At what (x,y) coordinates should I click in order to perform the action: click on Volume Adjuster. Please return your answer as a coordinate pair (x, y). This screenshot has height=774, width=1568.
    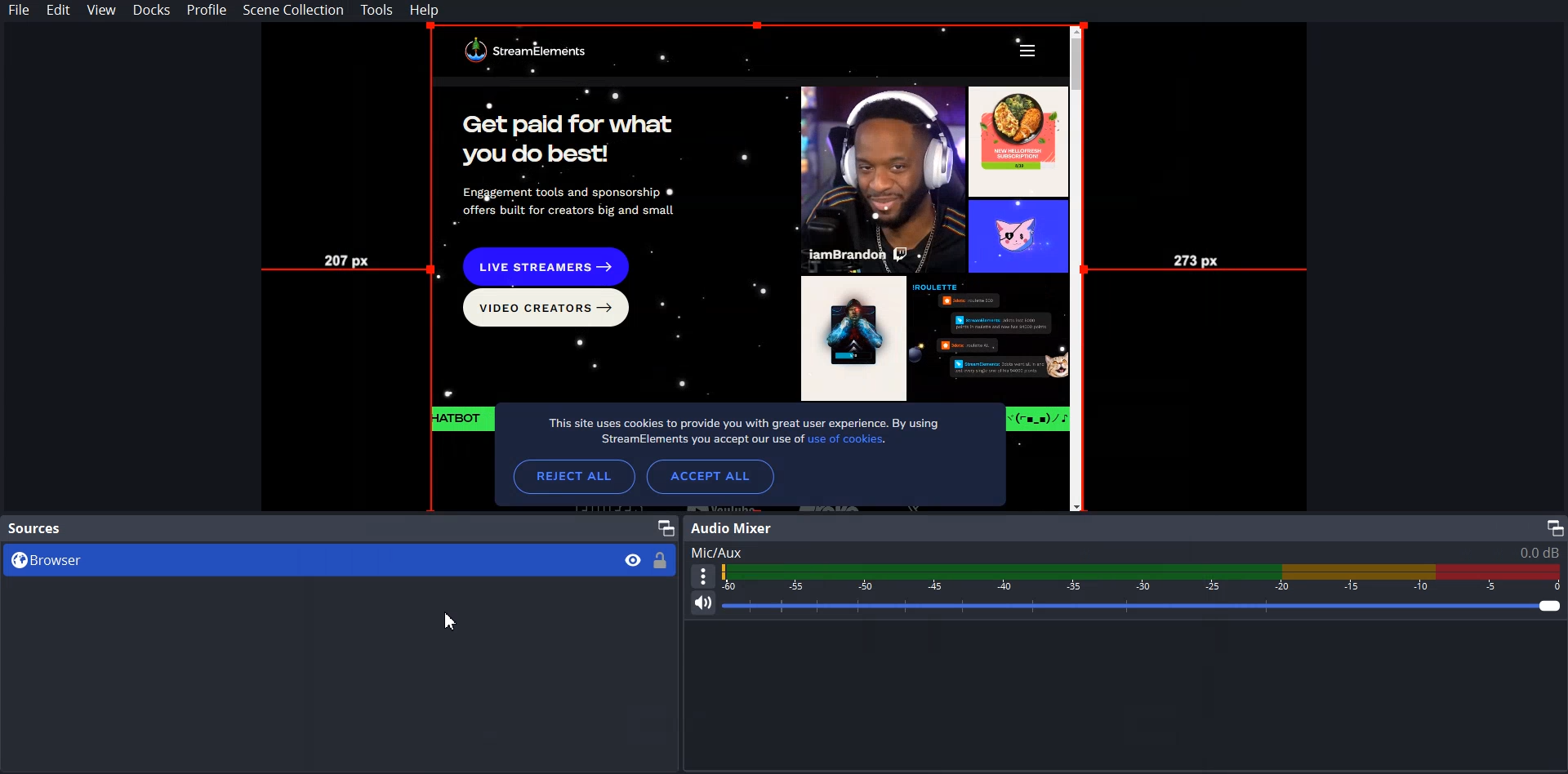
    Looking at the image, I should click on (1145, 605).